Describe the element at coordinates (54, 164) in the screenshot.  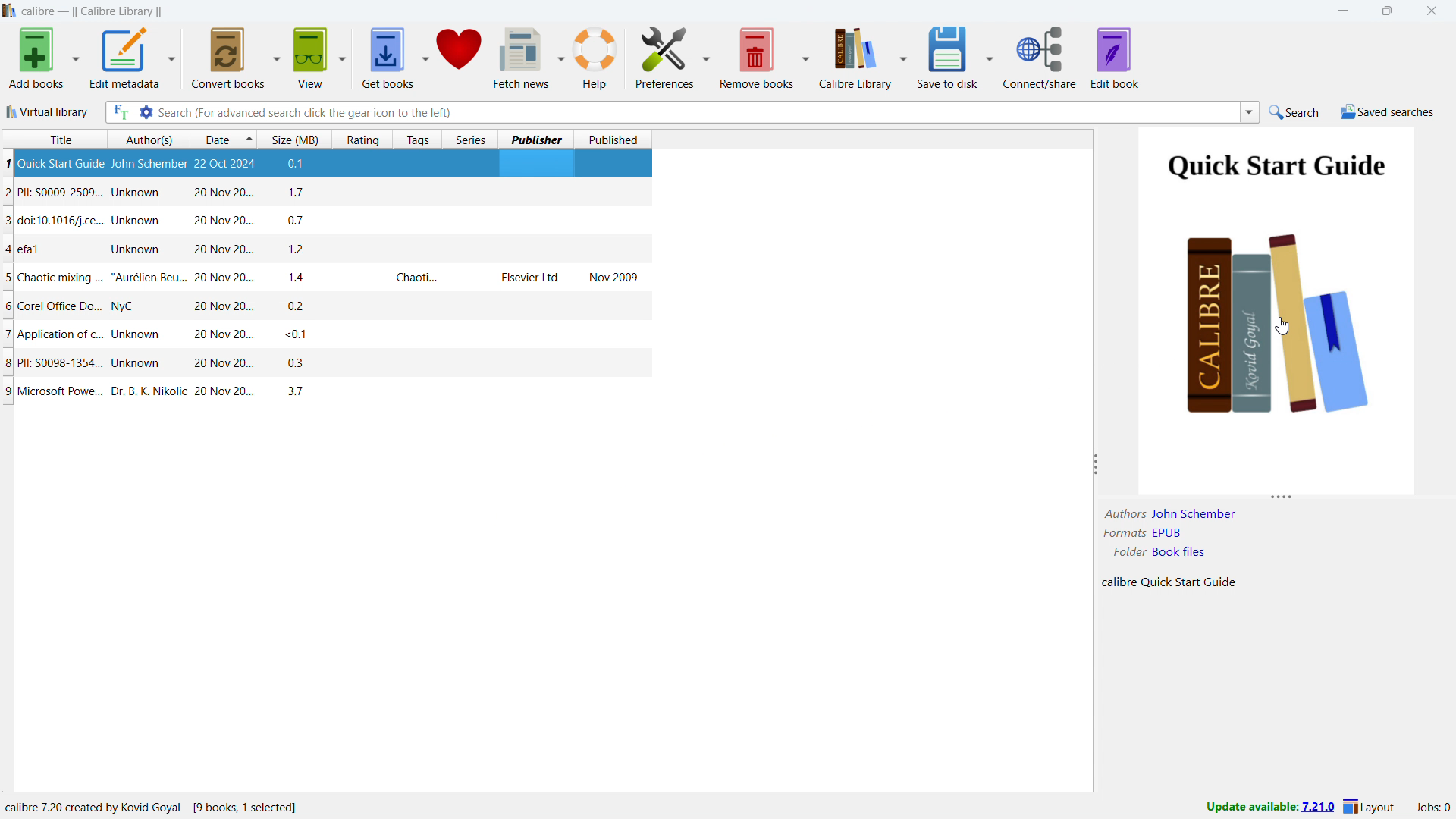
I see `Quick Start Guide` at that location.